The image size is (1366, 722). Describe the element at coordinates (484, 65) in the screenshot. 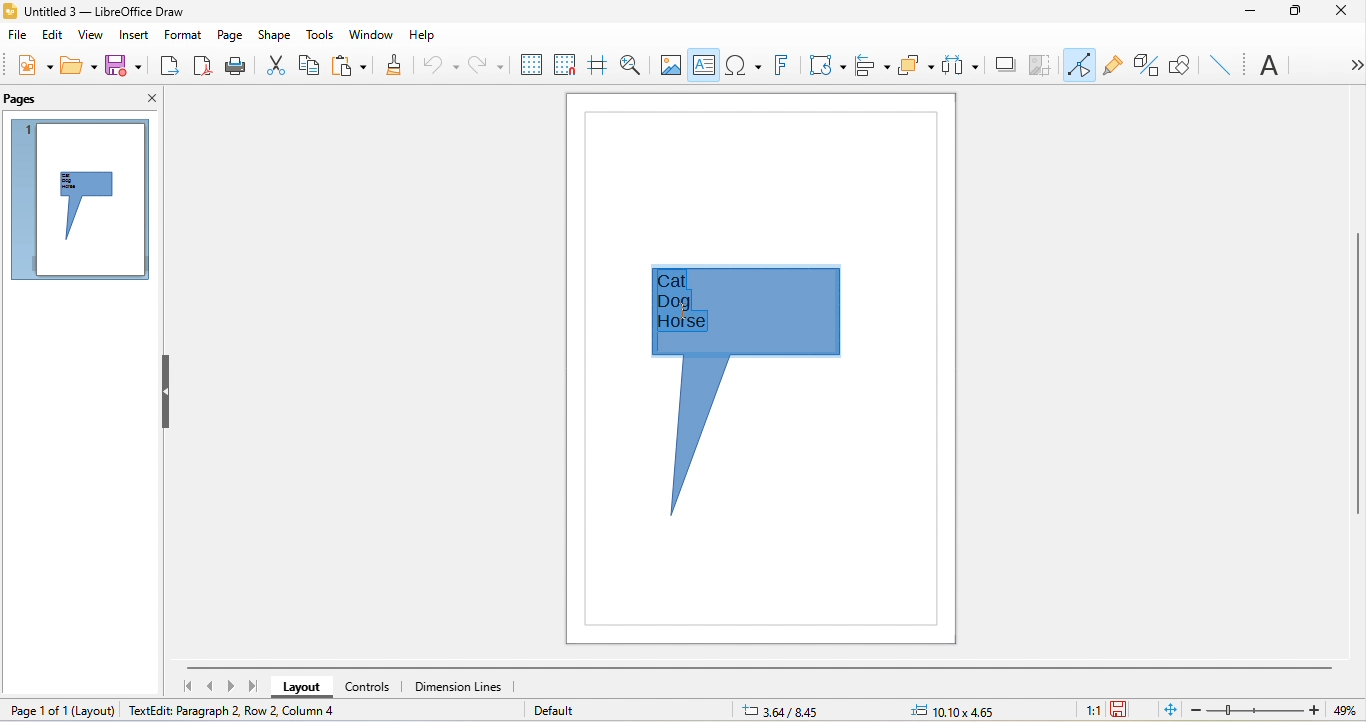

I see `redo` at that location.